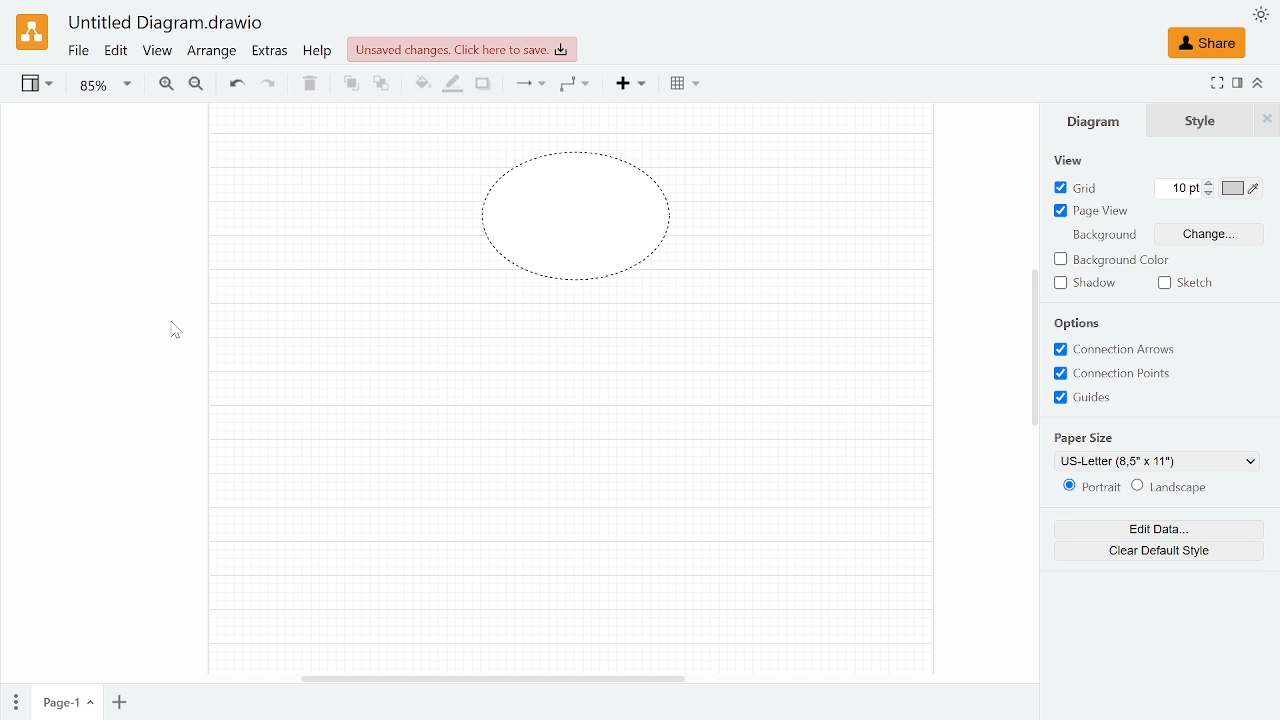 Image resolution: width=1280 pixels, height=720 pixels. What do you see at coordinates (1235, 83) in the screenshot?
I see `Format` at bounding box center [1235, 83].